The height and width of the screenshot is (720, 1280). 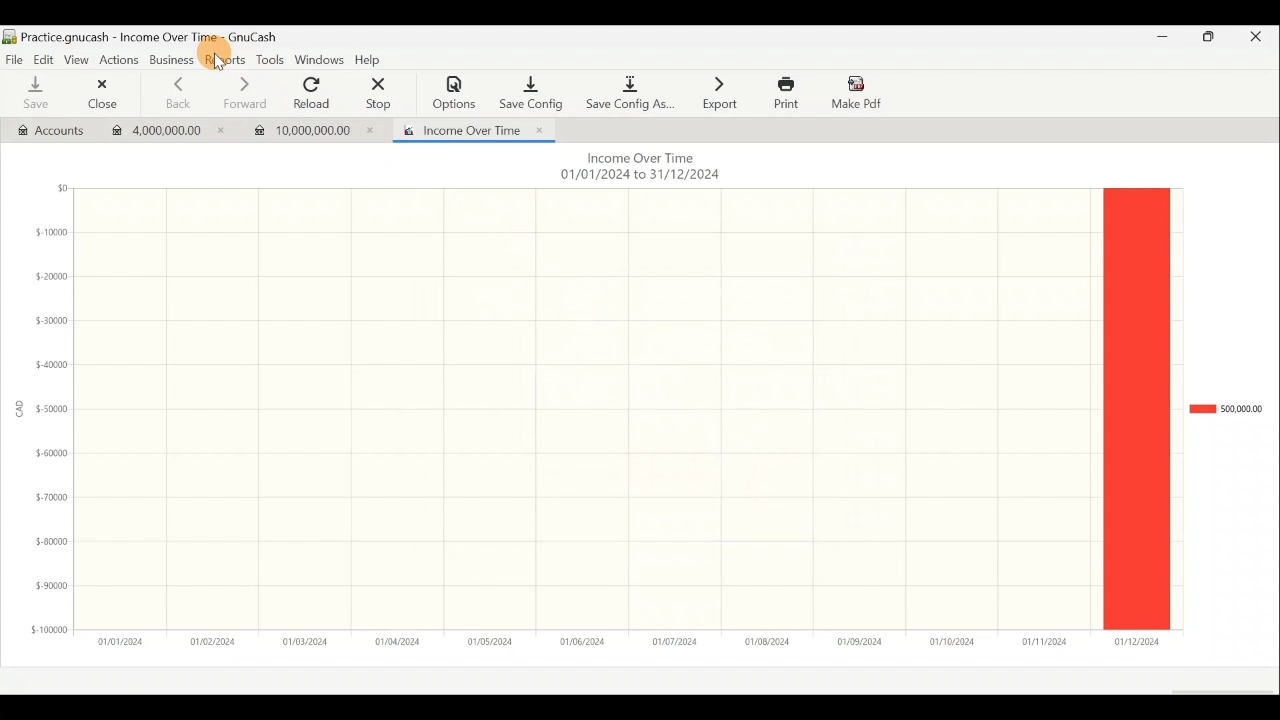 What do you see at coordinates (243, 93) in the screenshot?
I see `Forward` at bounding box center [243, 93].